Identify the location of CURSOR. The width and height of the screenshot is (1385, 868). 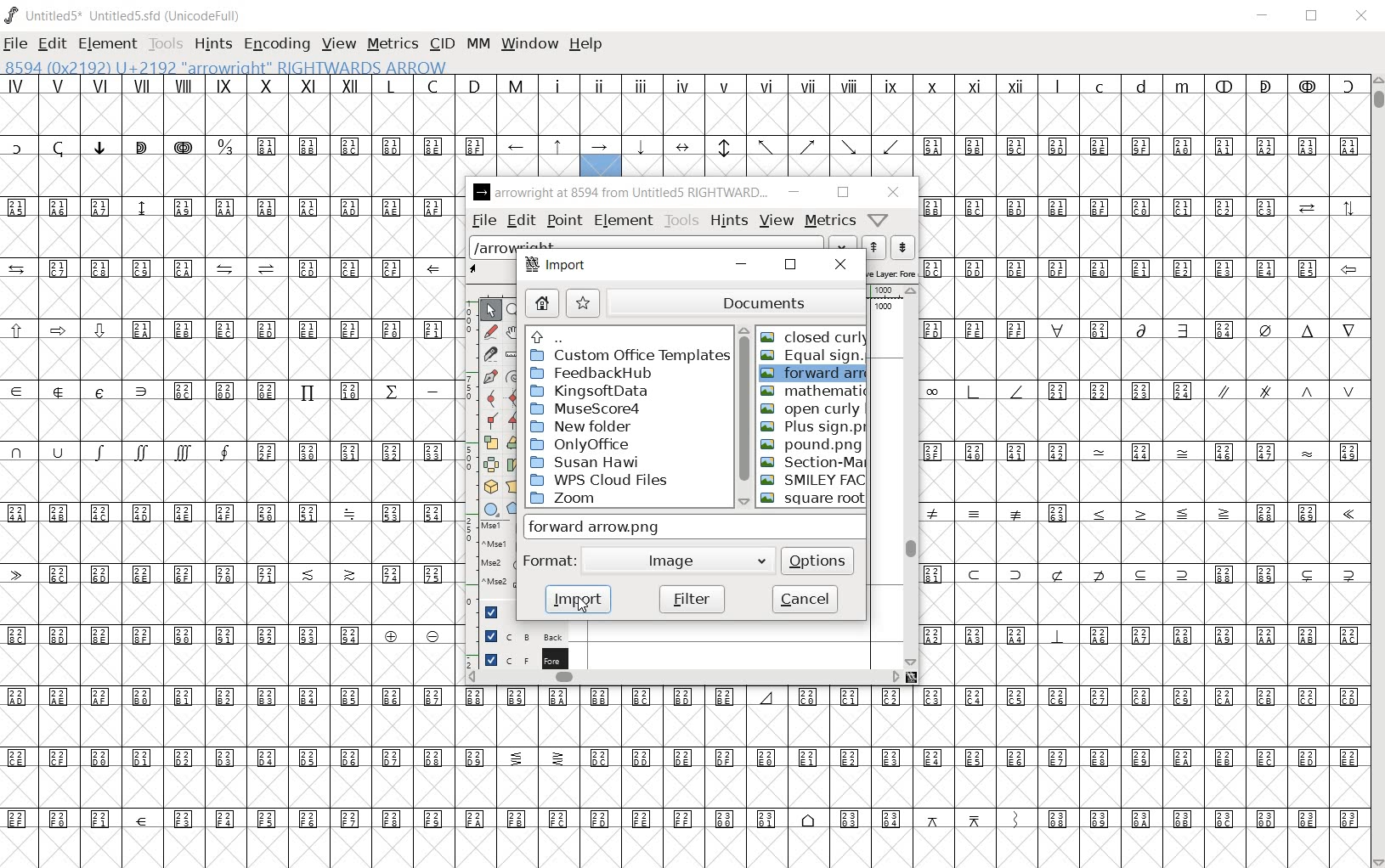
(580, 608).